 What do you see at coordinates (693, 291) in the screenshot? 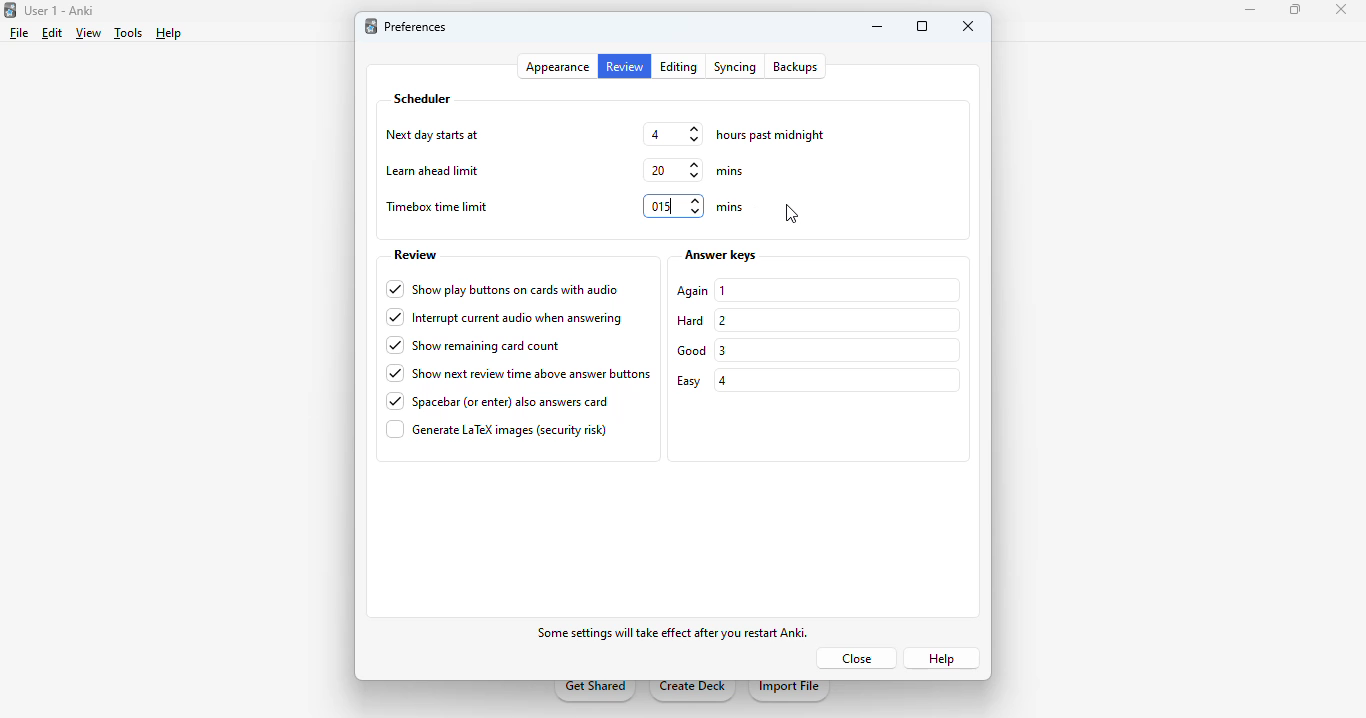
I see `again` at bounding box center [693, 291].